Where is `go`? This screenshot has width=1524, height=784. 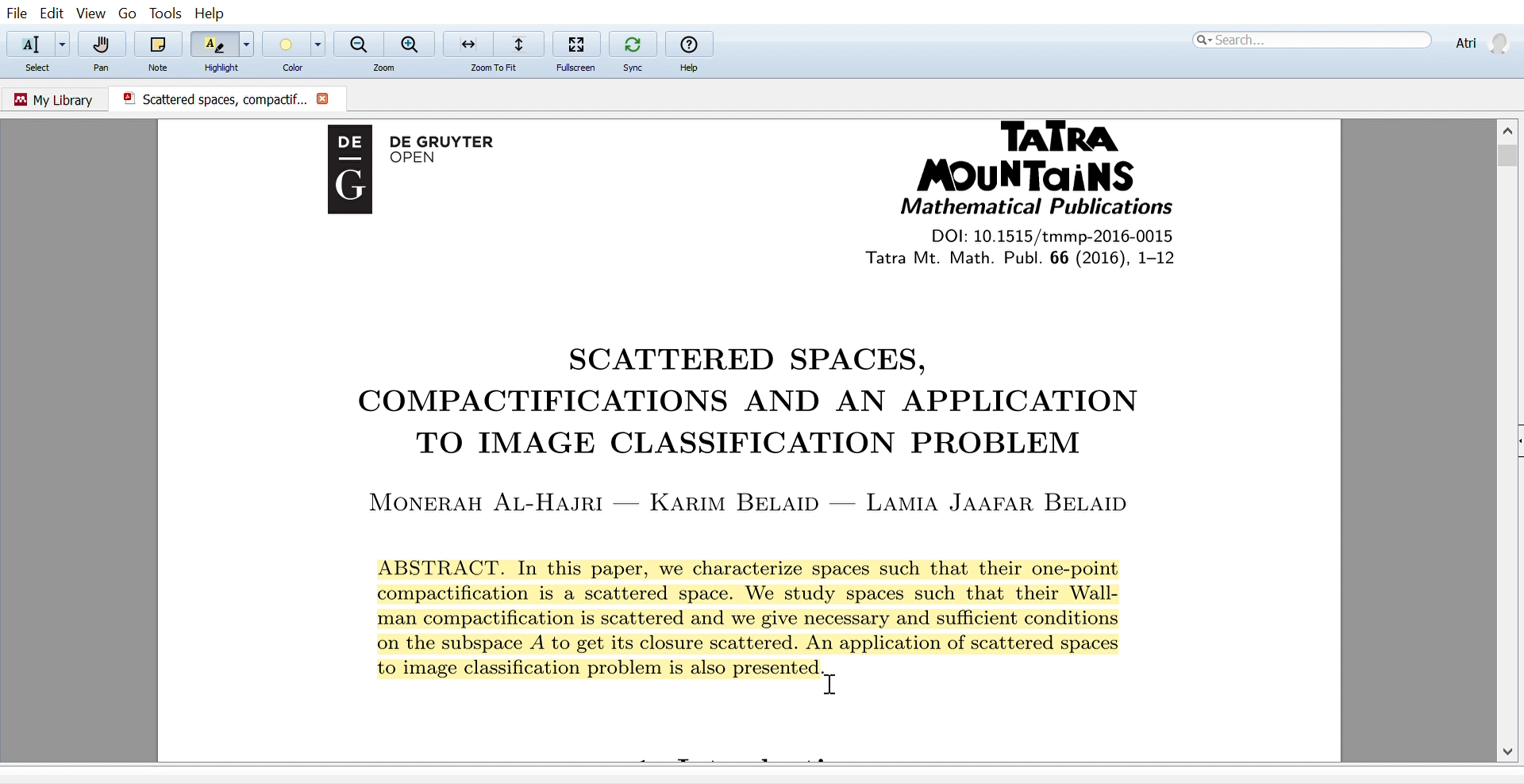 go is located at coordinates (128, 14).